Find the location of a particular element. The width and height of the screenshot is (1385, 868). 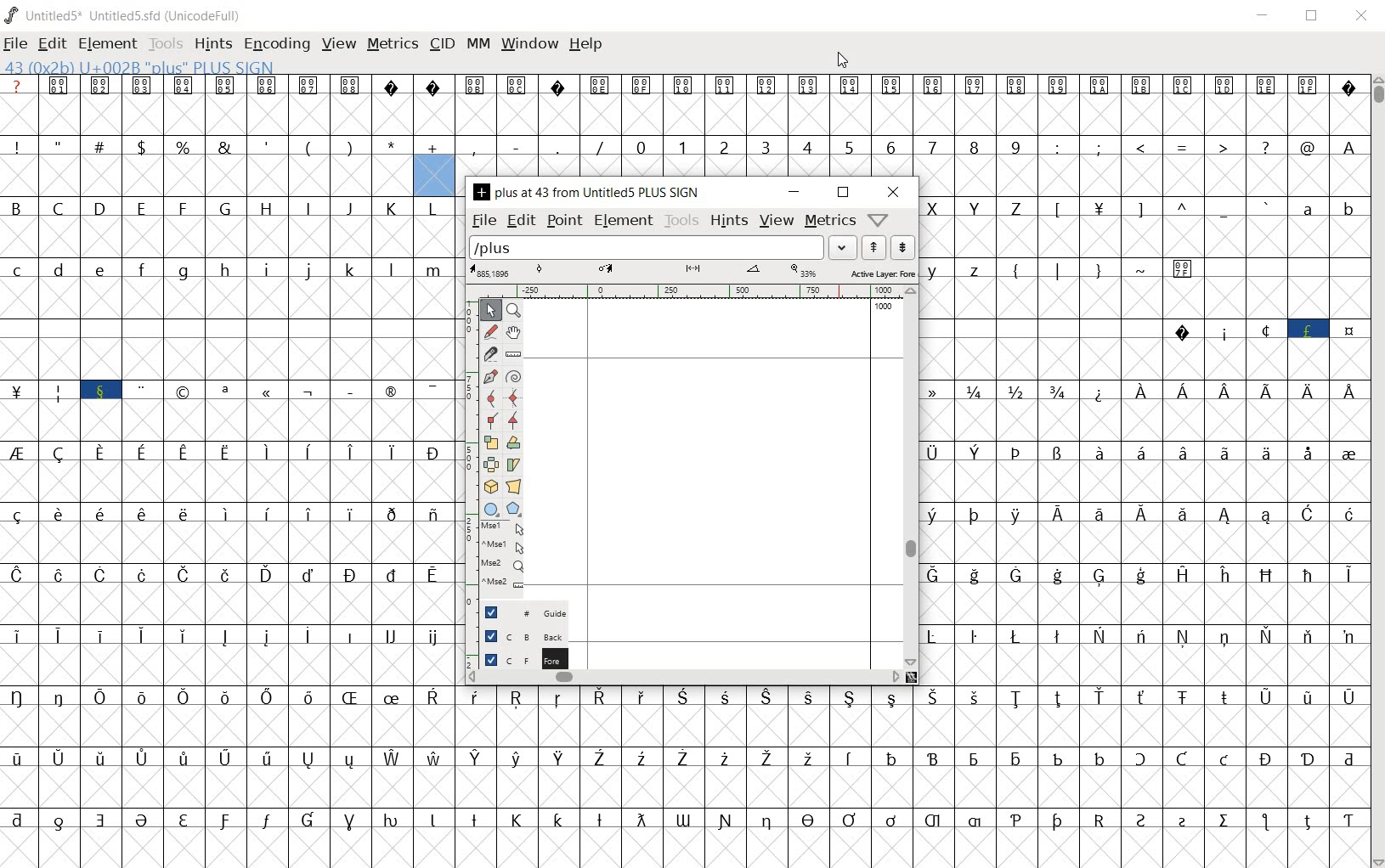

special characters is located at coordinates (1263, 350).